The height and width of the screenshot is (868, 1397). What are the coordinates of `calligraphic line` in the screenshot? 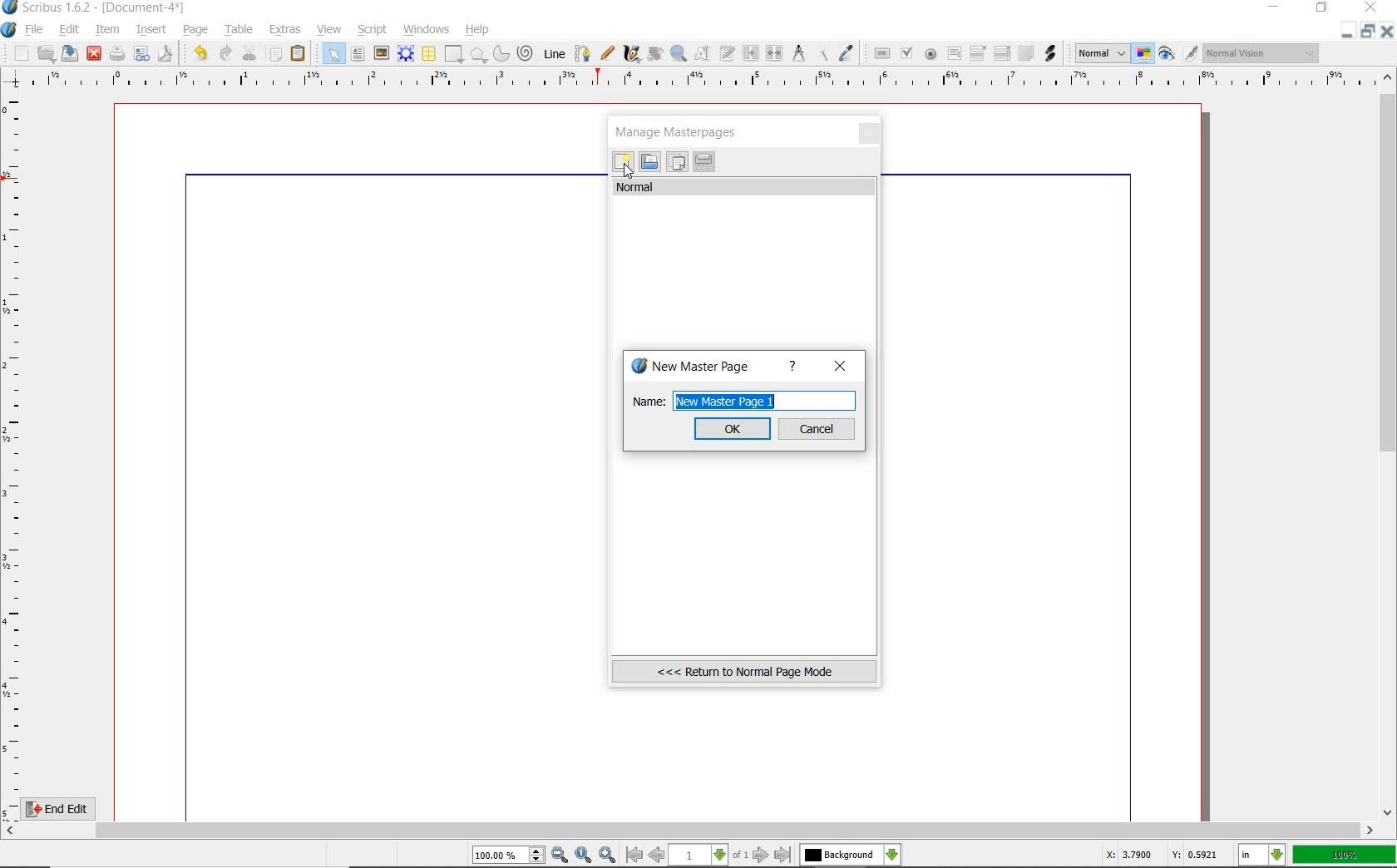 It's located at (631, 54).